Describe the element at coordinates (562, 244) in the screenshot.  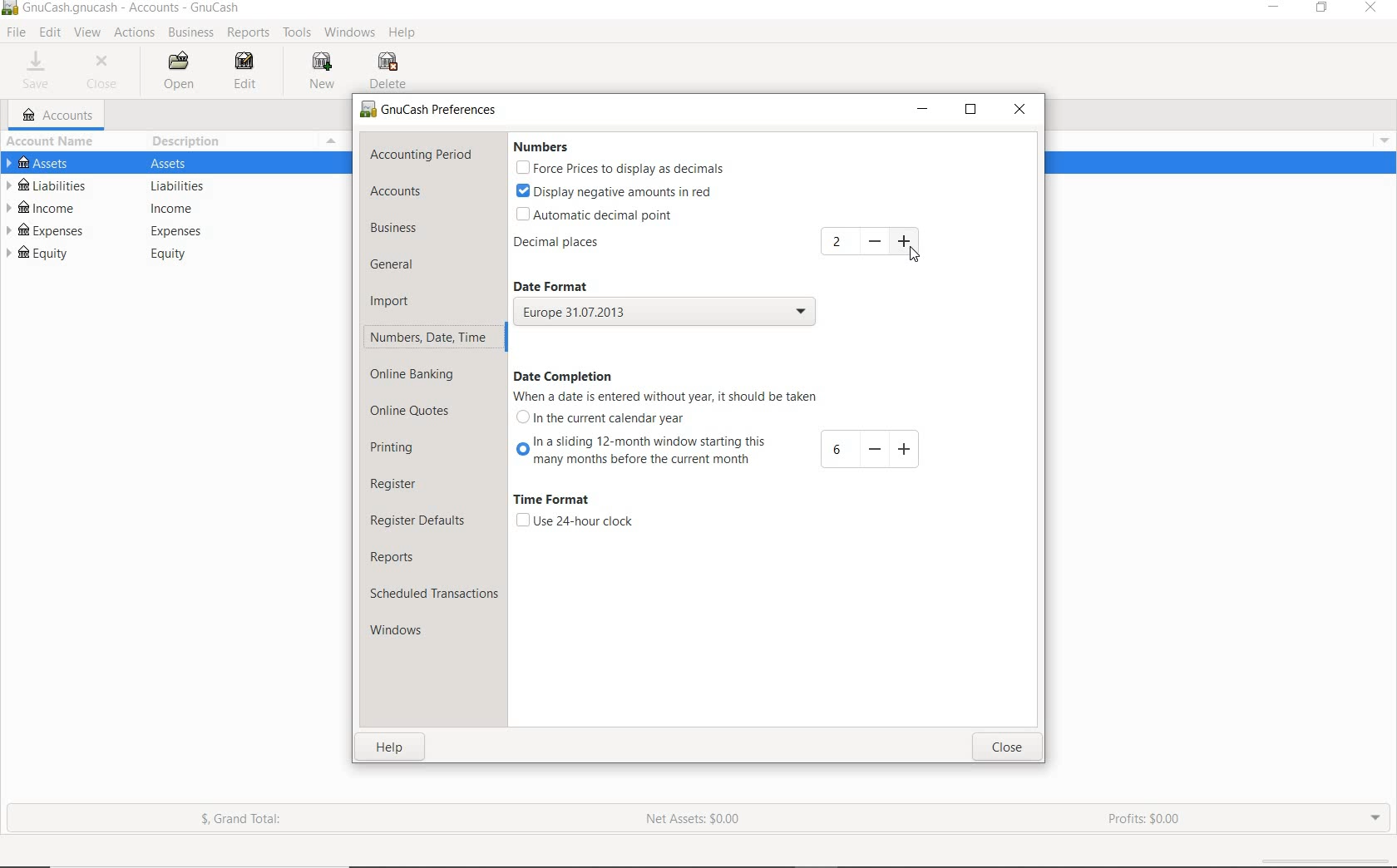
I see `ecimal places` at that location.